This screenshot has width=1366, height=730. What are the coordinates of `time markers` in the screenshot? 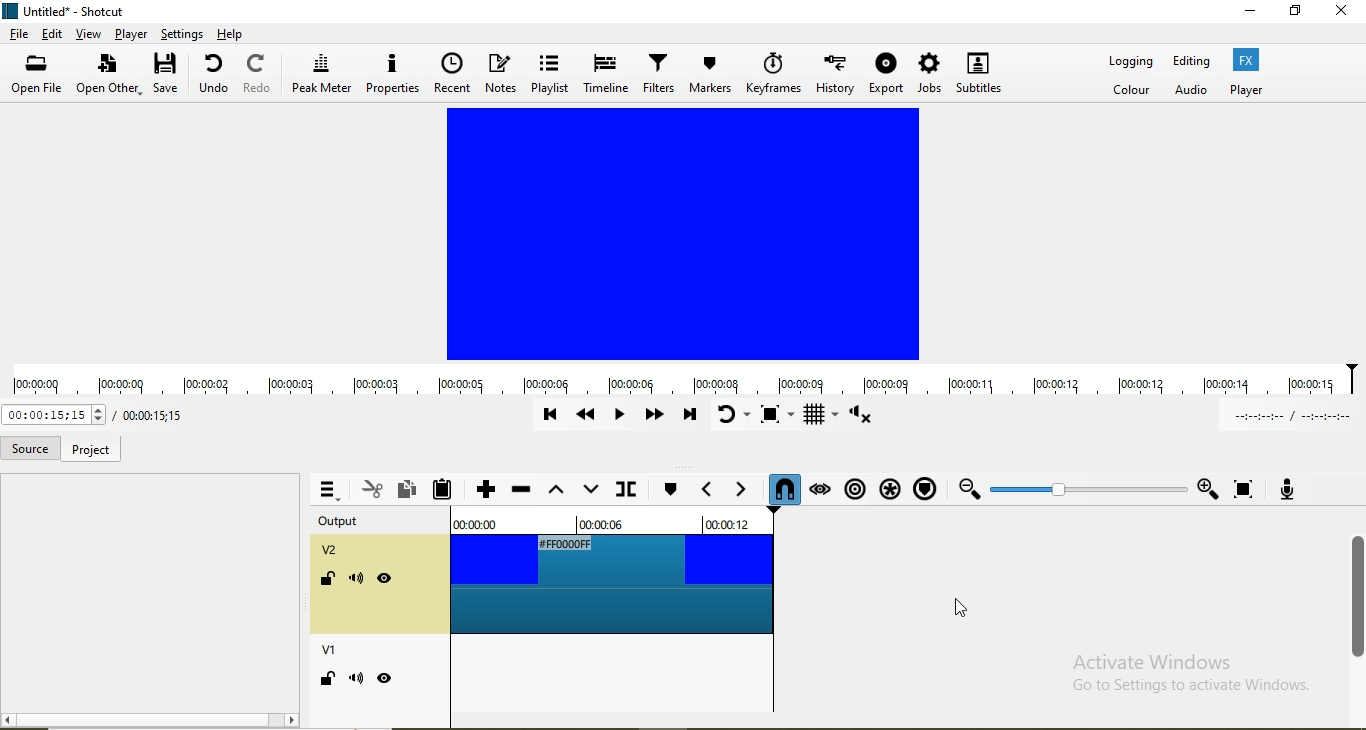 It's located at (622, 520).